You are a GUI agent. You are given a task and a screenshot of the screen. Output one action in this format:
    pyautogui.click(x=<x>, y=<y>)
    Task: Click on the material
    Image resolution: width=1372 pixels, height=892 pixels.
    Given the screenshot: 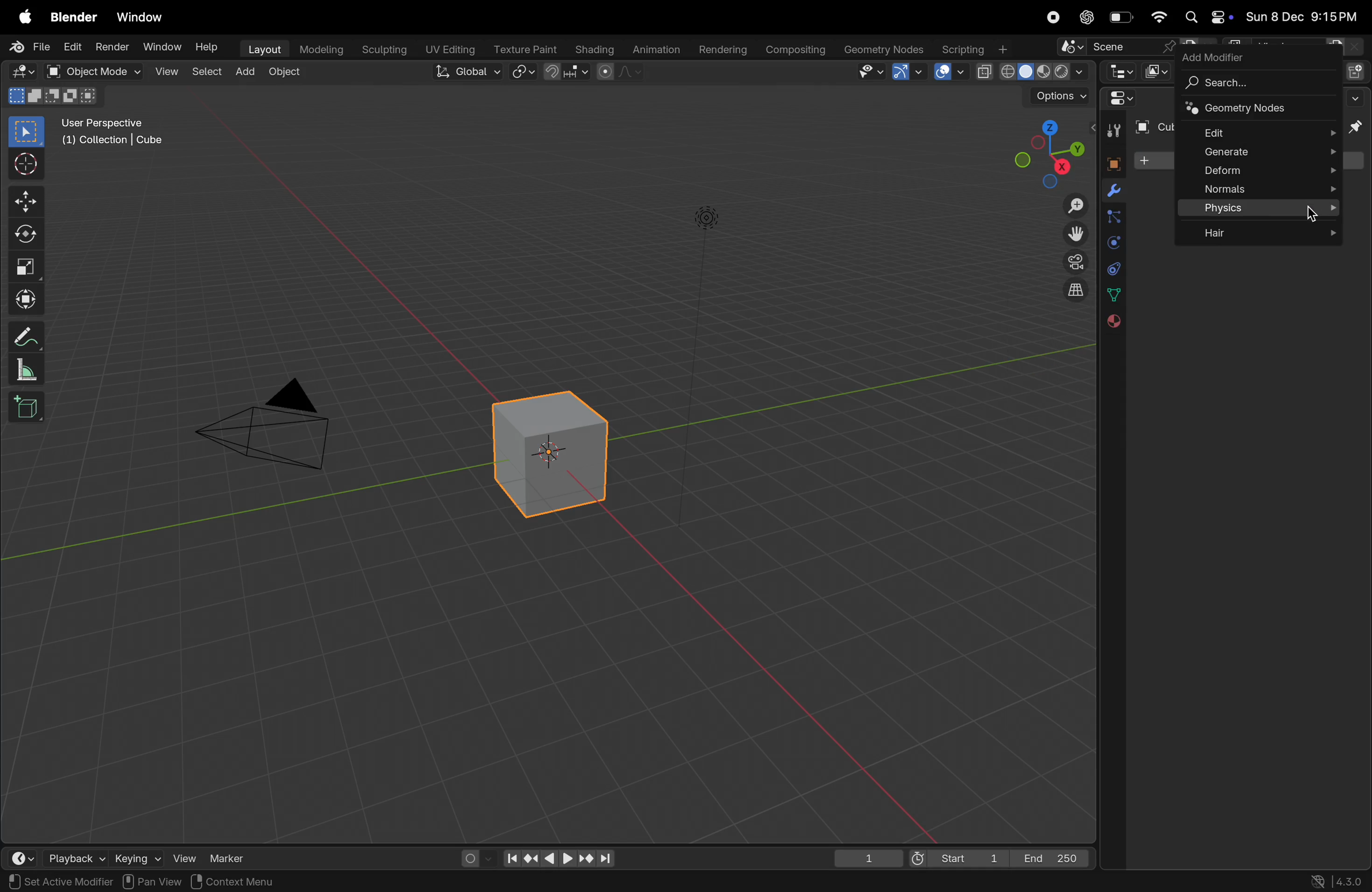 What is the action you would take?
    pyautogui.click(x=1111, y=322)
    